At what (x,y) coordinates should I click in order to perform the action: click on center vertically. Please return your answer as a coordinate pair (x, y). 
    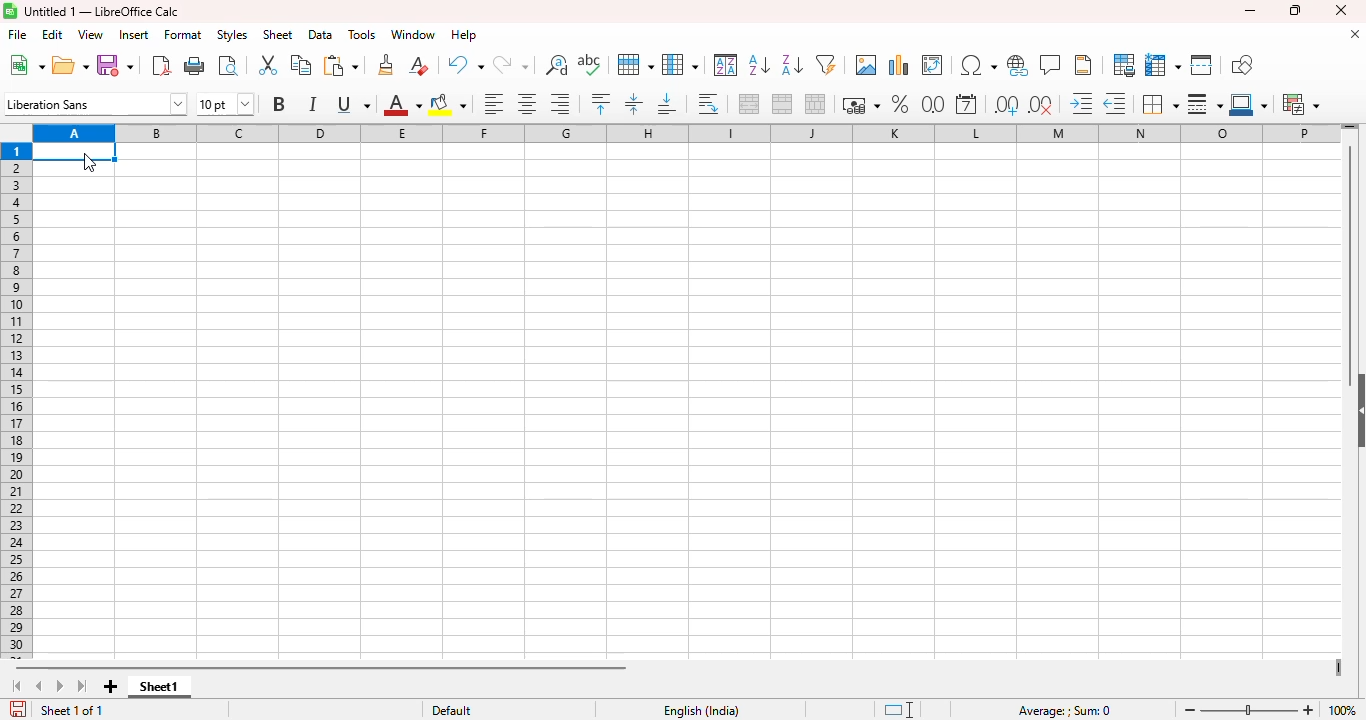
    Looking at the image, I should click on (633, 104).